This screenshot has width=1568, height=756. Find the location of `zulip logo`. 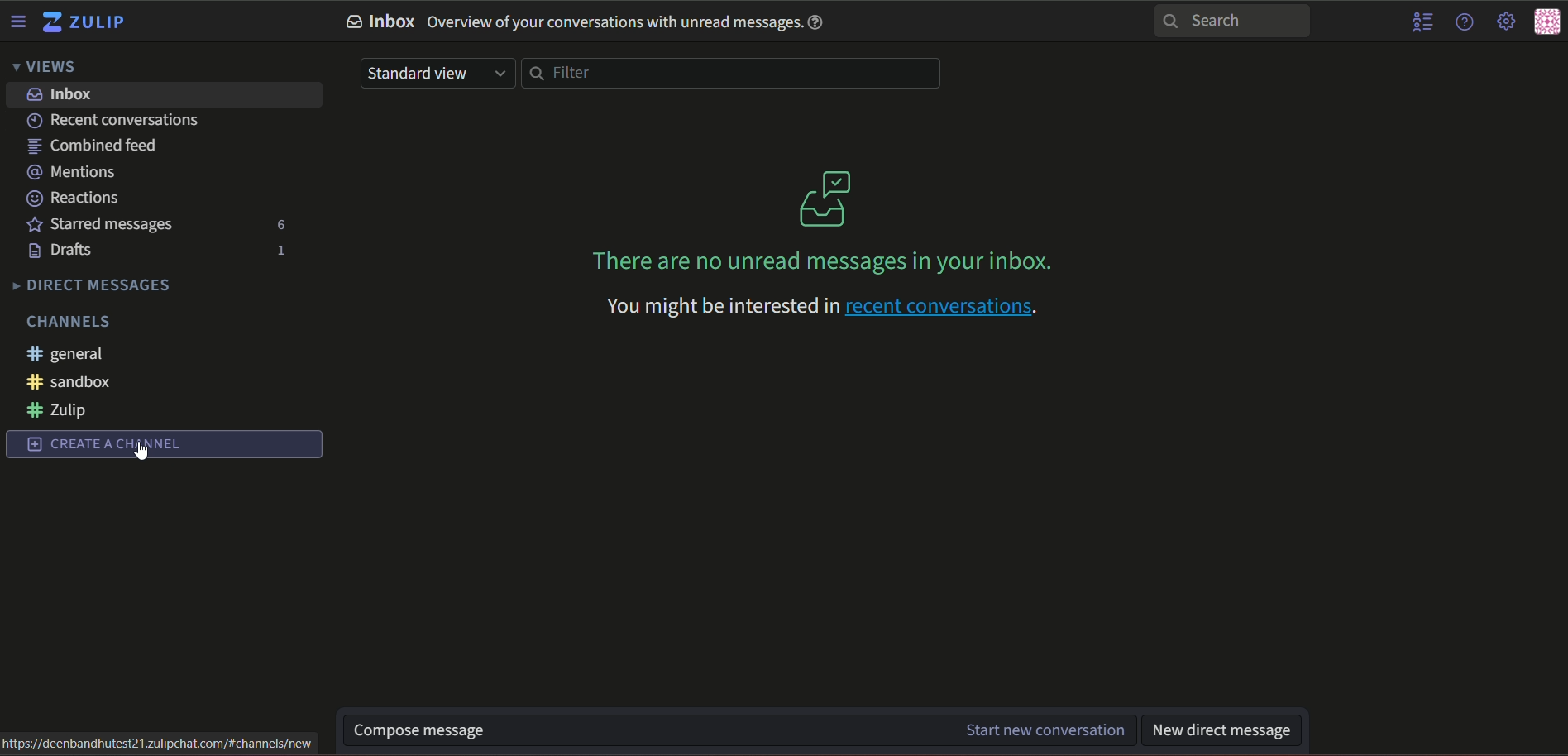

zulip logo is located at coordinates (89, 24).